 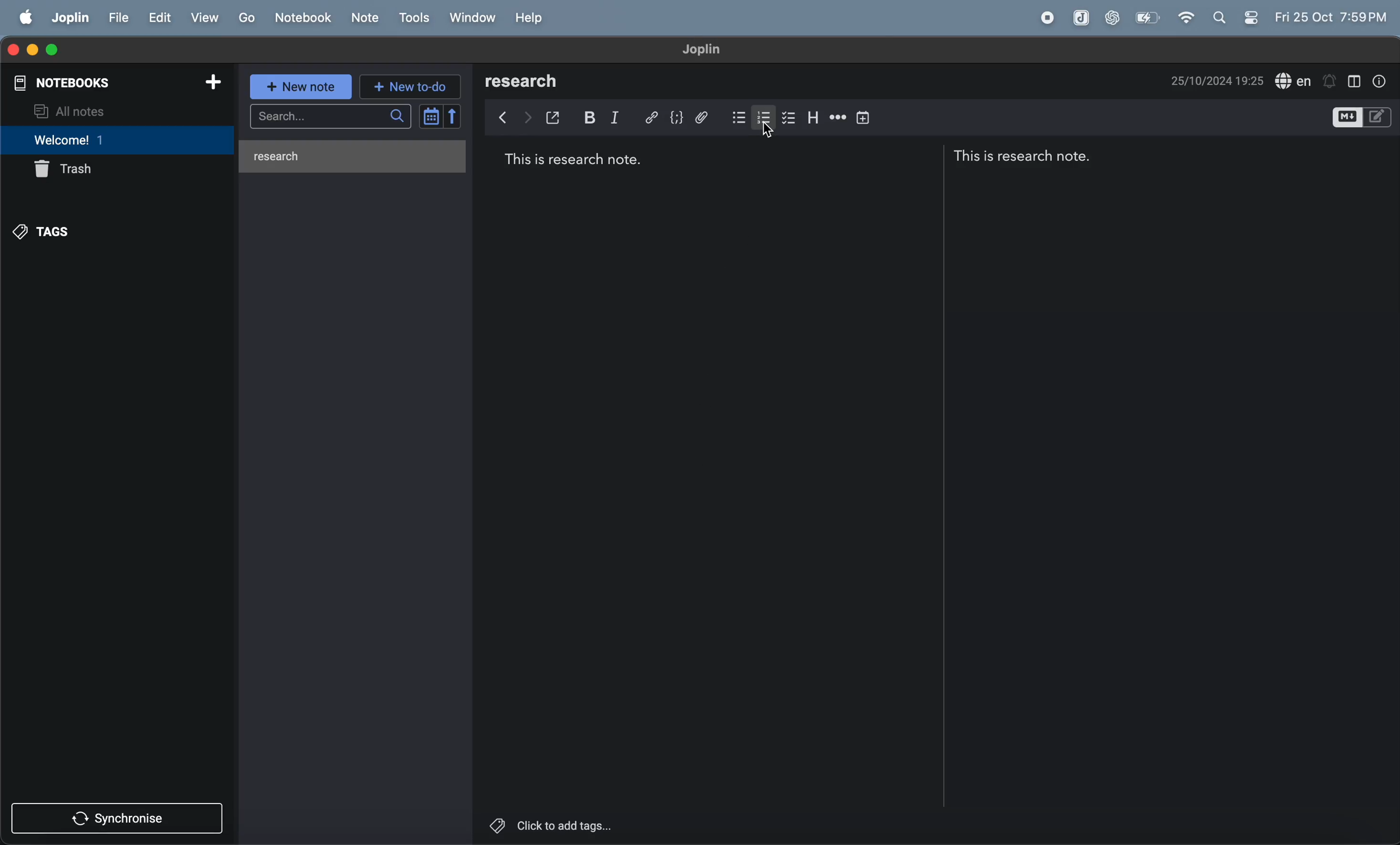 What do you see at coordinates (1078, 18) in the screenshot?
I see `joplin opened` at bounding box center [1078, 18].